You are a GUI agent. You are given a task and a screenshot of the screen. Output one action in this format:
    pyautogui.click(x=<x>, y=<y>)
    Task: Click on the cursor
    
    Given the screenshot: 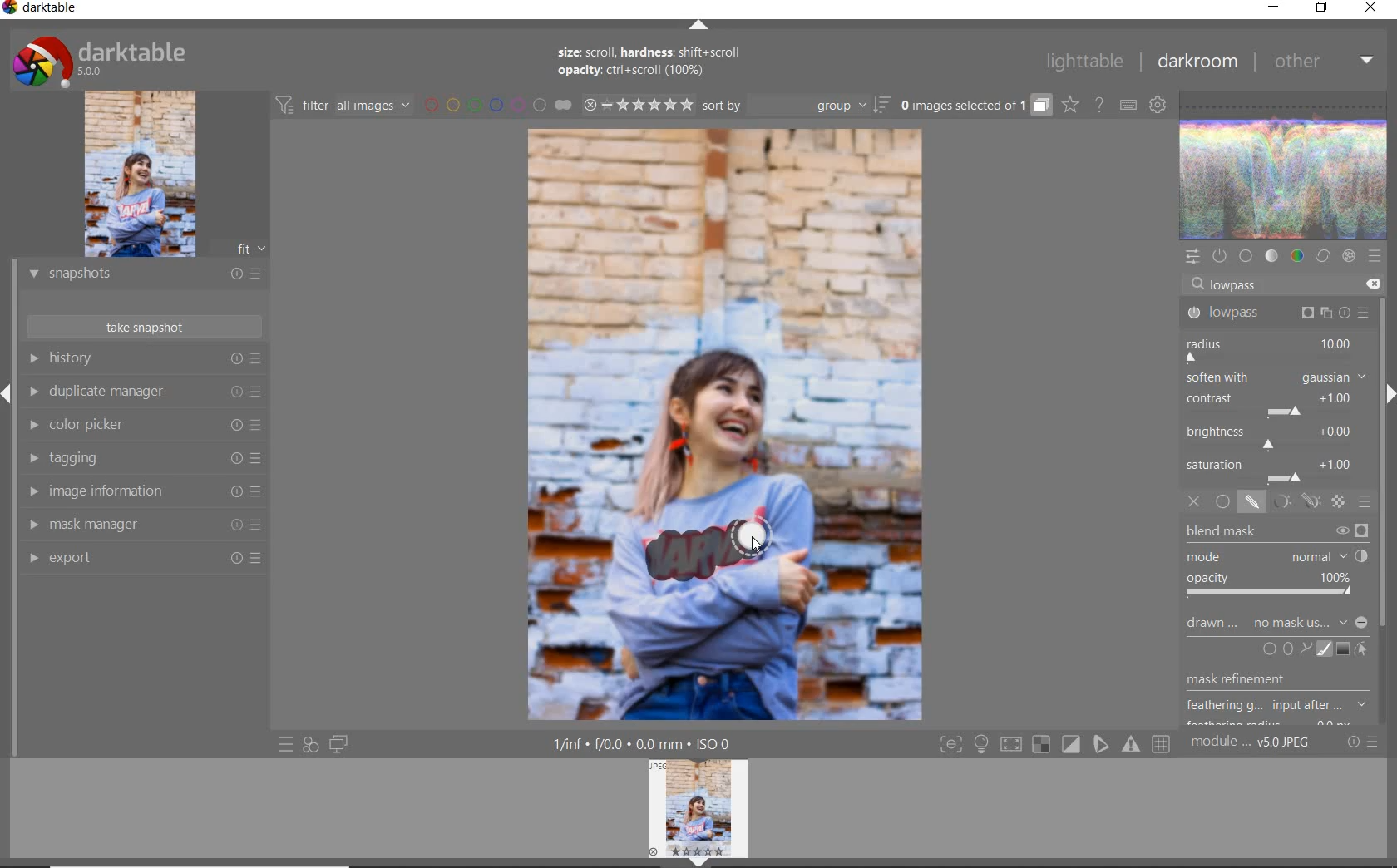 What is the action you would take?
    pyautogui.click(x=754, y=547)
    